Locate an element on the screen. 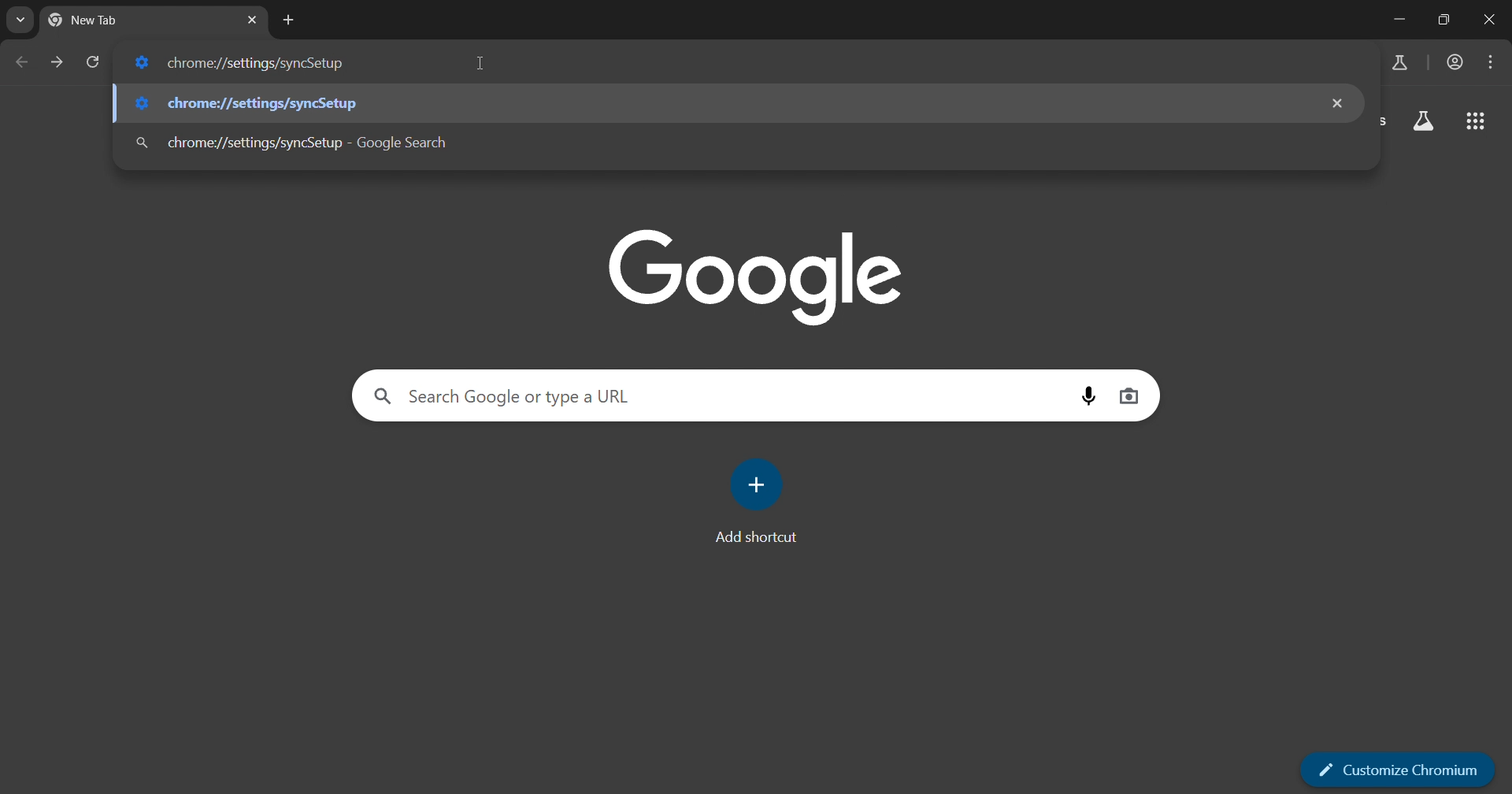 The height and width of the screenshot is (794, 1512). chrome://settingd/syncSetup is located at coordinates (726, 143).